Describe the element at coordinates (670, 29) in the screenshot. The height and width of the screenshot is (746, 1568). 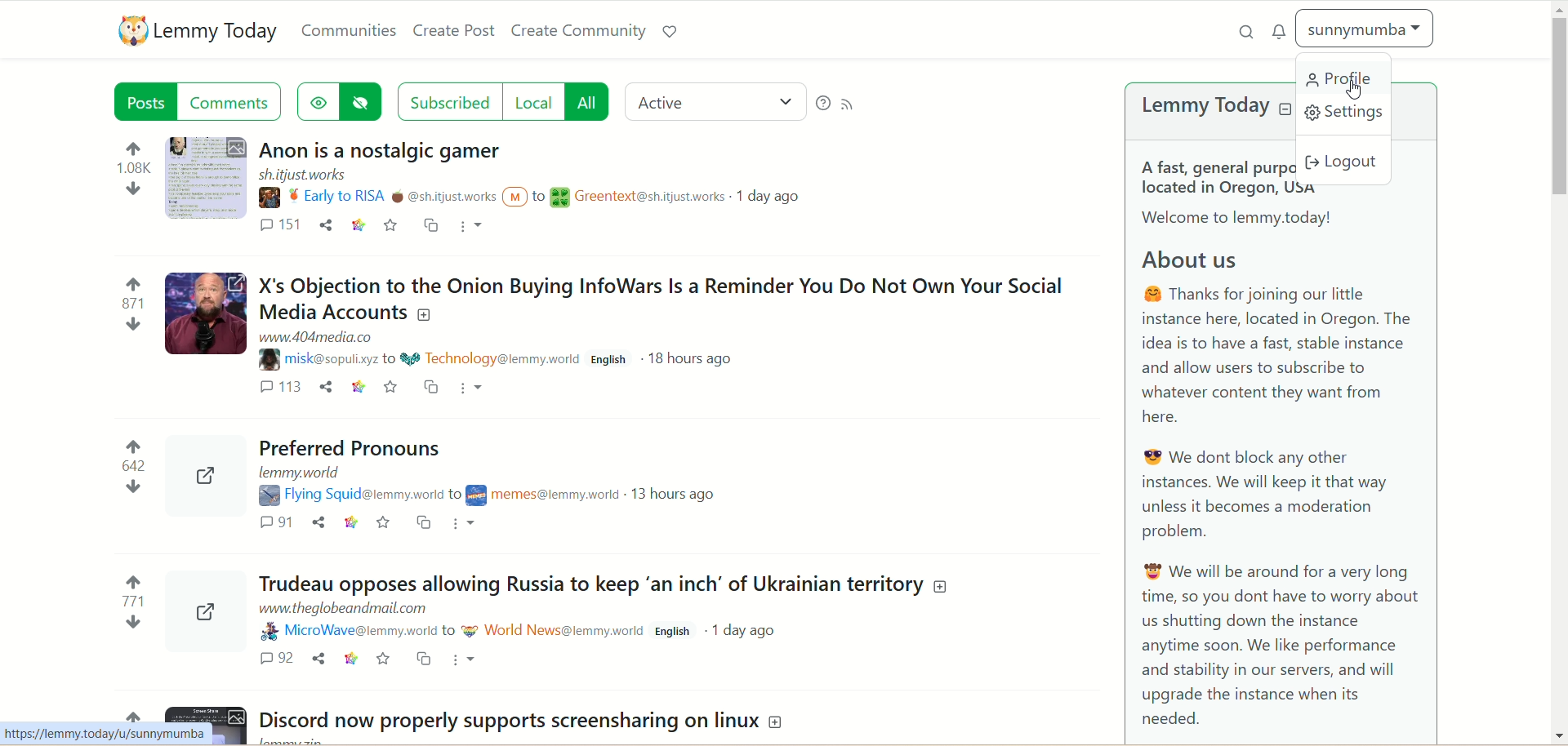
I see `support lemmy` at that location.